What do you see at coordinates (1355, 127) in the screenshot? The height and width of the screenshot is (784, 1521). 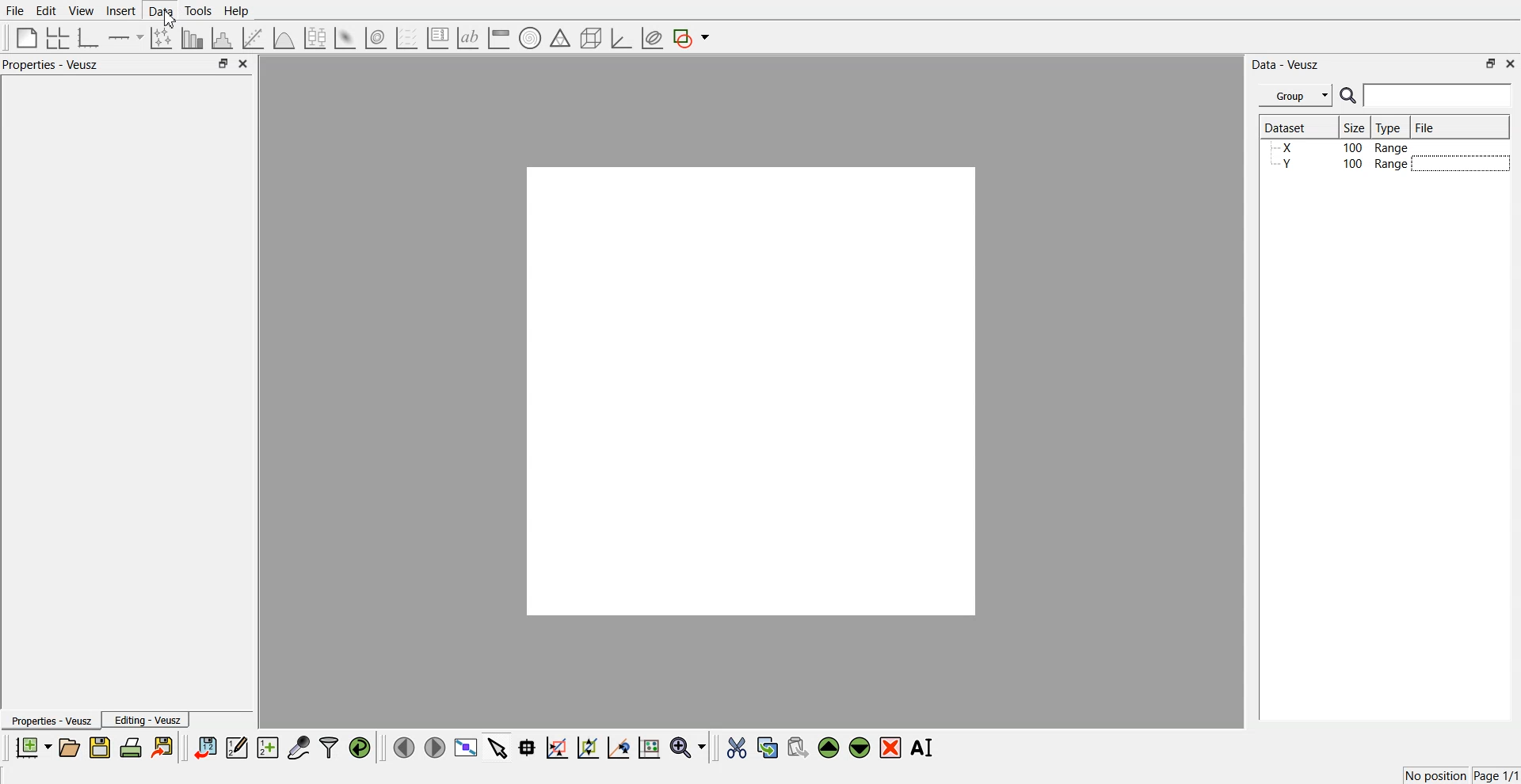 I see `Size` at bounding box center [1355, 127].